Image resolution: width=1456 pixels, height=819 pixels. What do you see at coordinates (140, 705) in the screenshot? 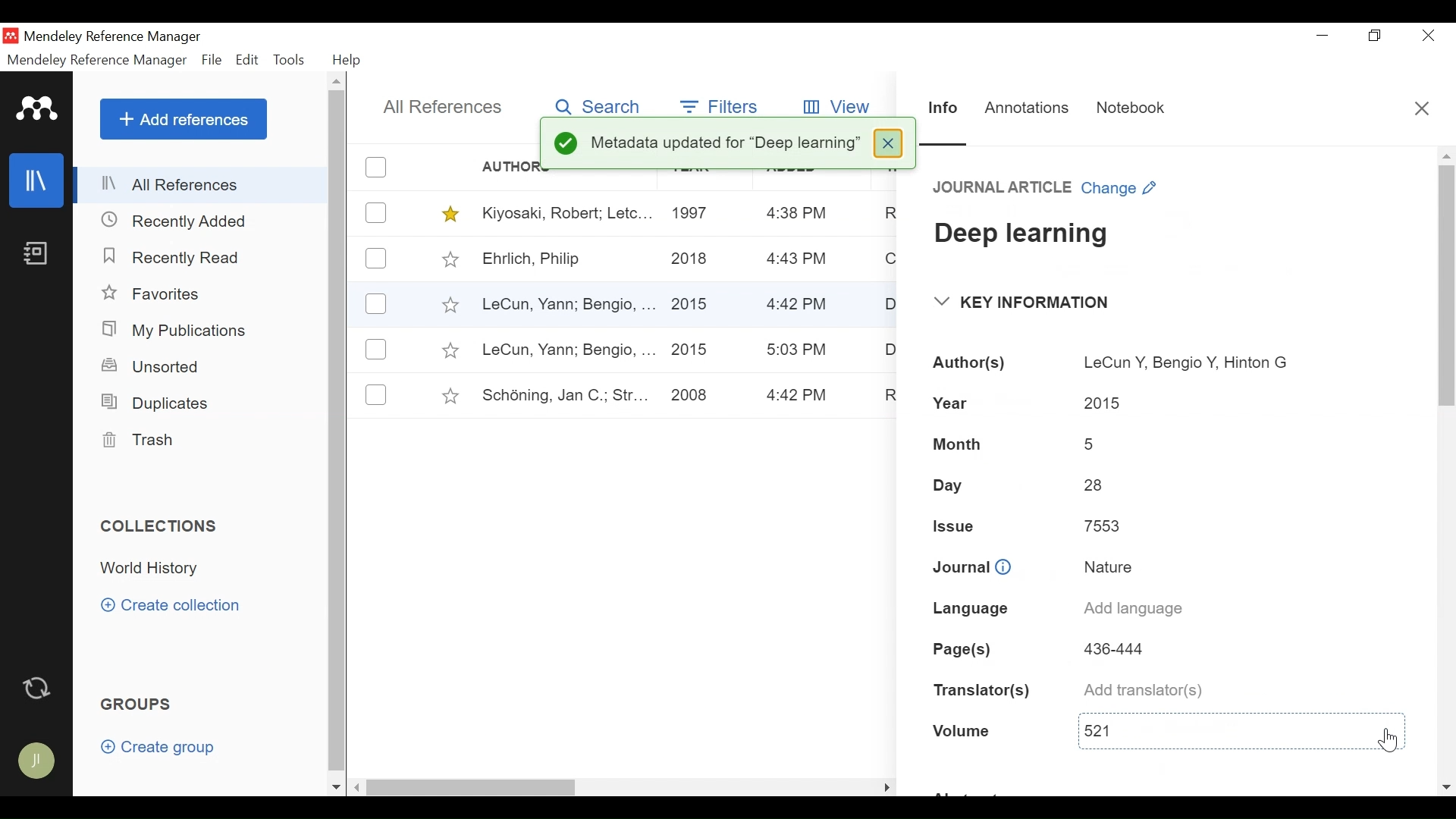
I see `Groups` at bounding box center [140, 705].